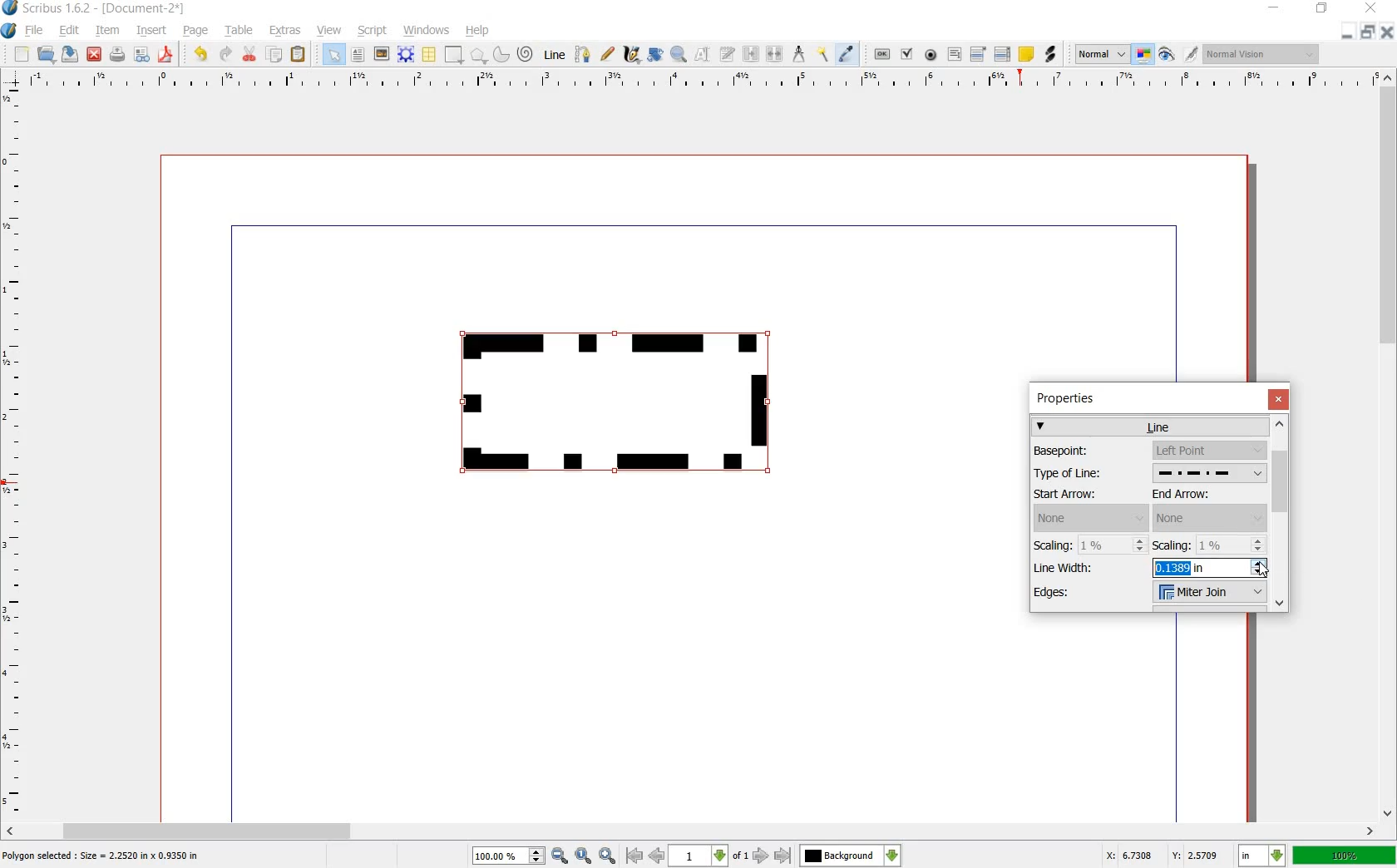 The image size is (1397, 868). Describe the element at coordinates (1193, 54) in the screenshot. I see `EDIT IN PREVIEW MODE` at that location.